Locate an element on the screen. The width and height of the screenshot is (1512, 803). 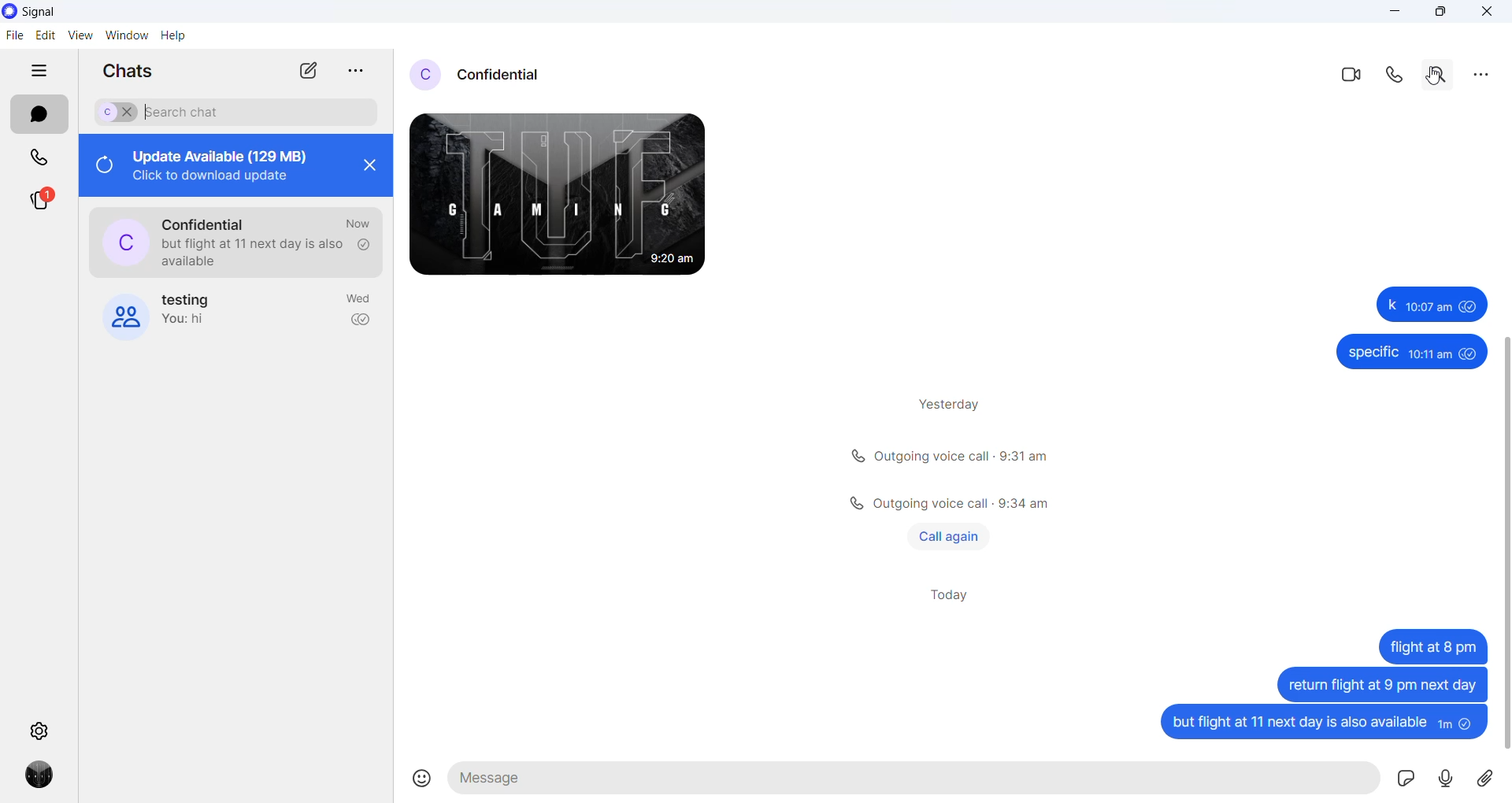
Cursor is located at coordinates (1437, 83).